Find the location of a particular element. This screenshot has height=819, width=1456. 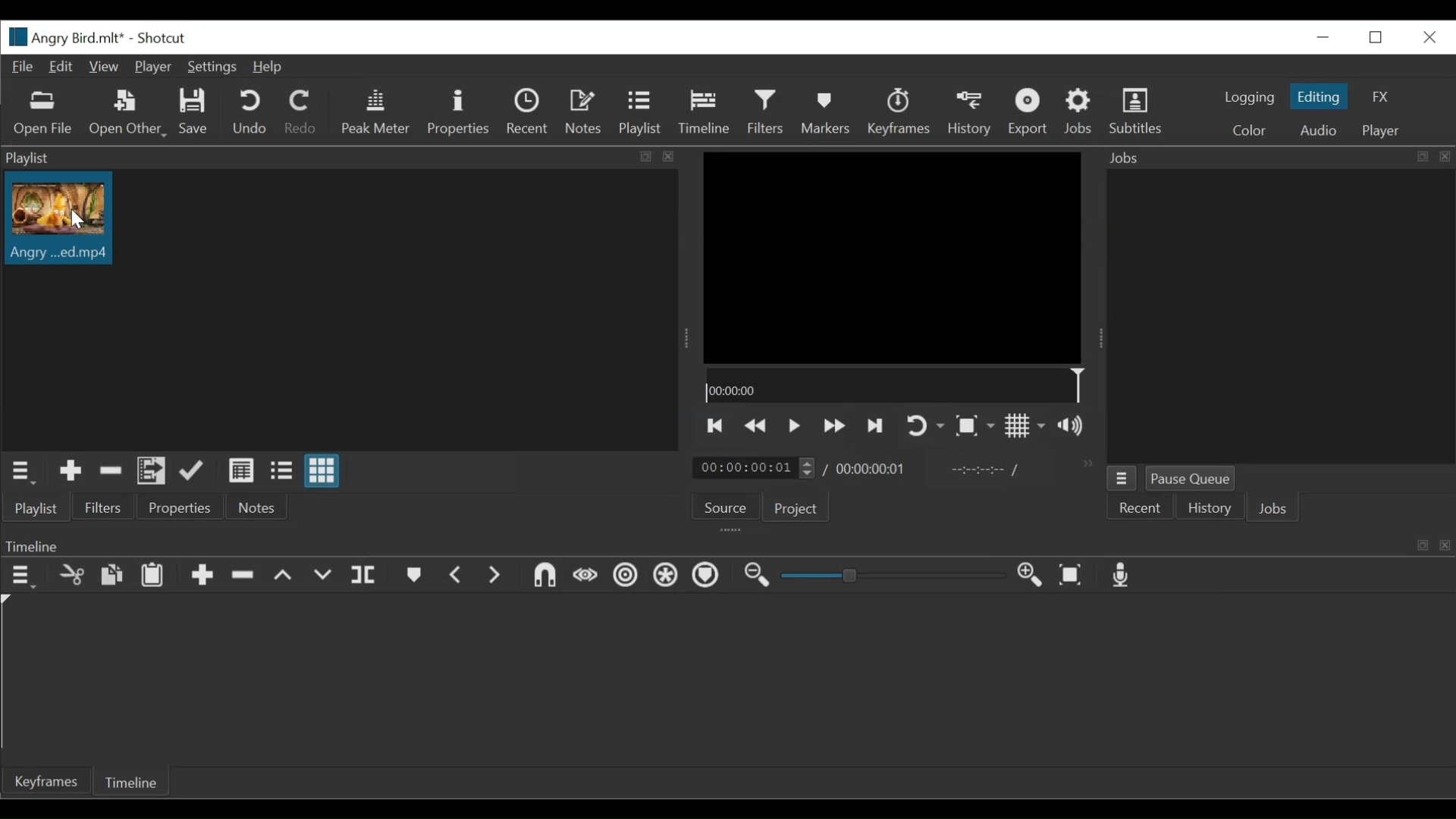

In point is located at coordinates (984, 470).